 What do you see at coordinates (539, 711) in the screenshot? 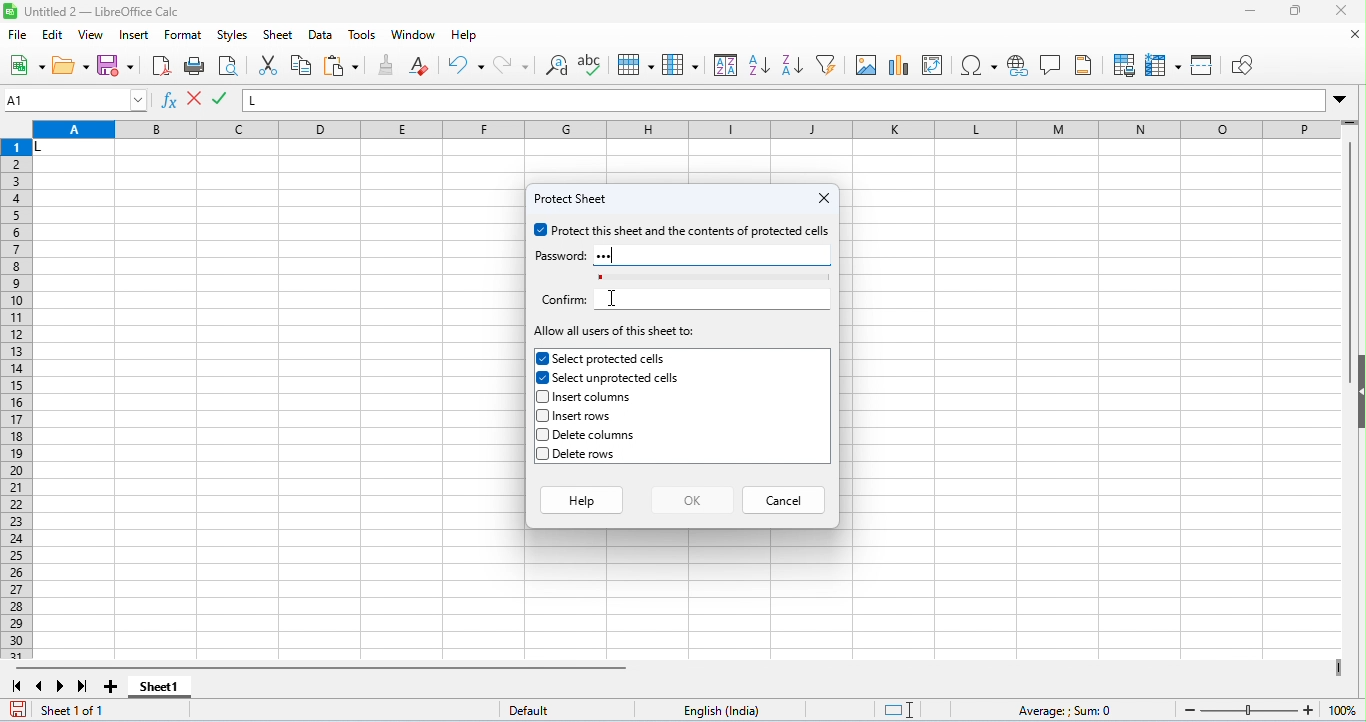
I see `default` at bounding box center [539, 711].